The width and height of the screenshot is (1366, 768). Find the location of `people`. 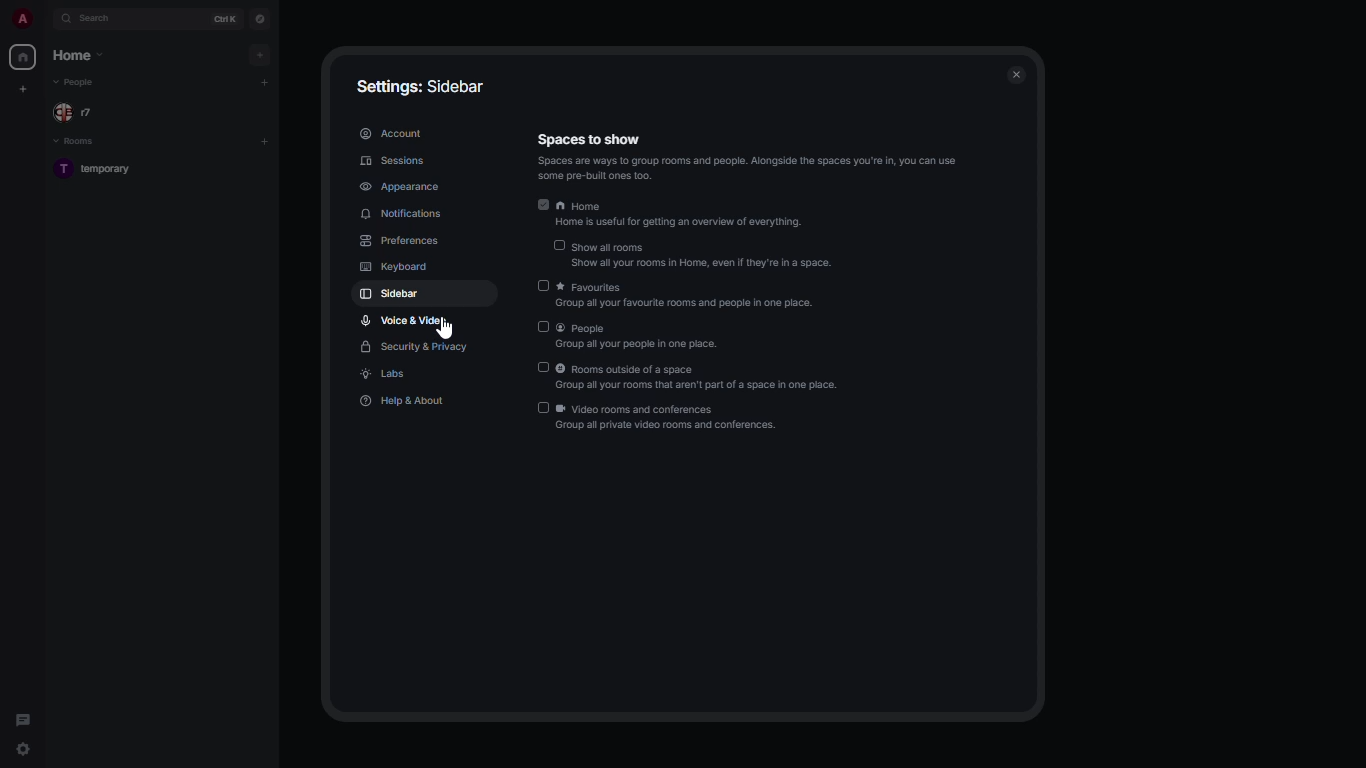

people is located at coordinates (614, 329).